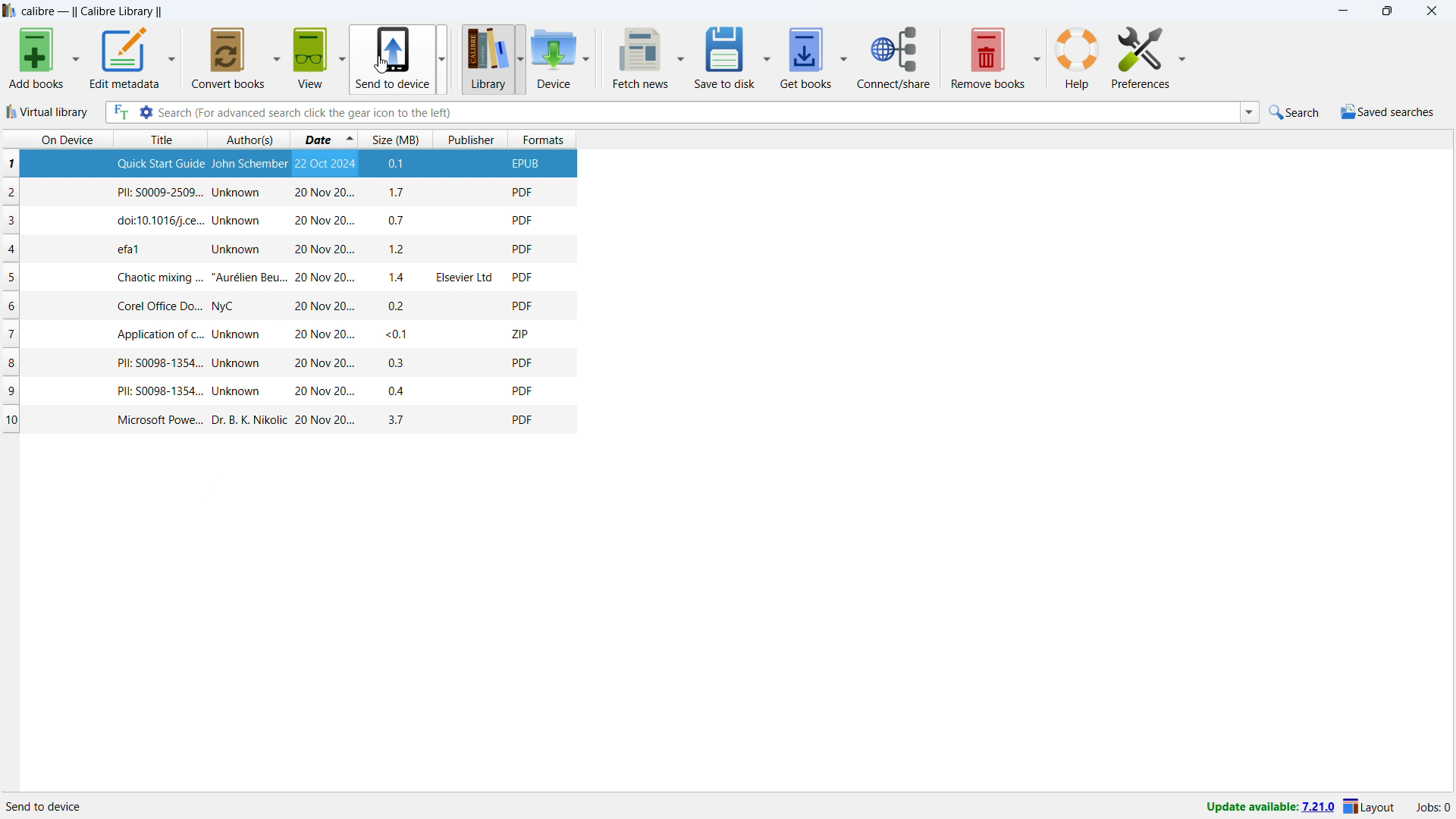  Describe the element at coordinates (289, 363) in the screenshot. I see `one book entry` at that location.